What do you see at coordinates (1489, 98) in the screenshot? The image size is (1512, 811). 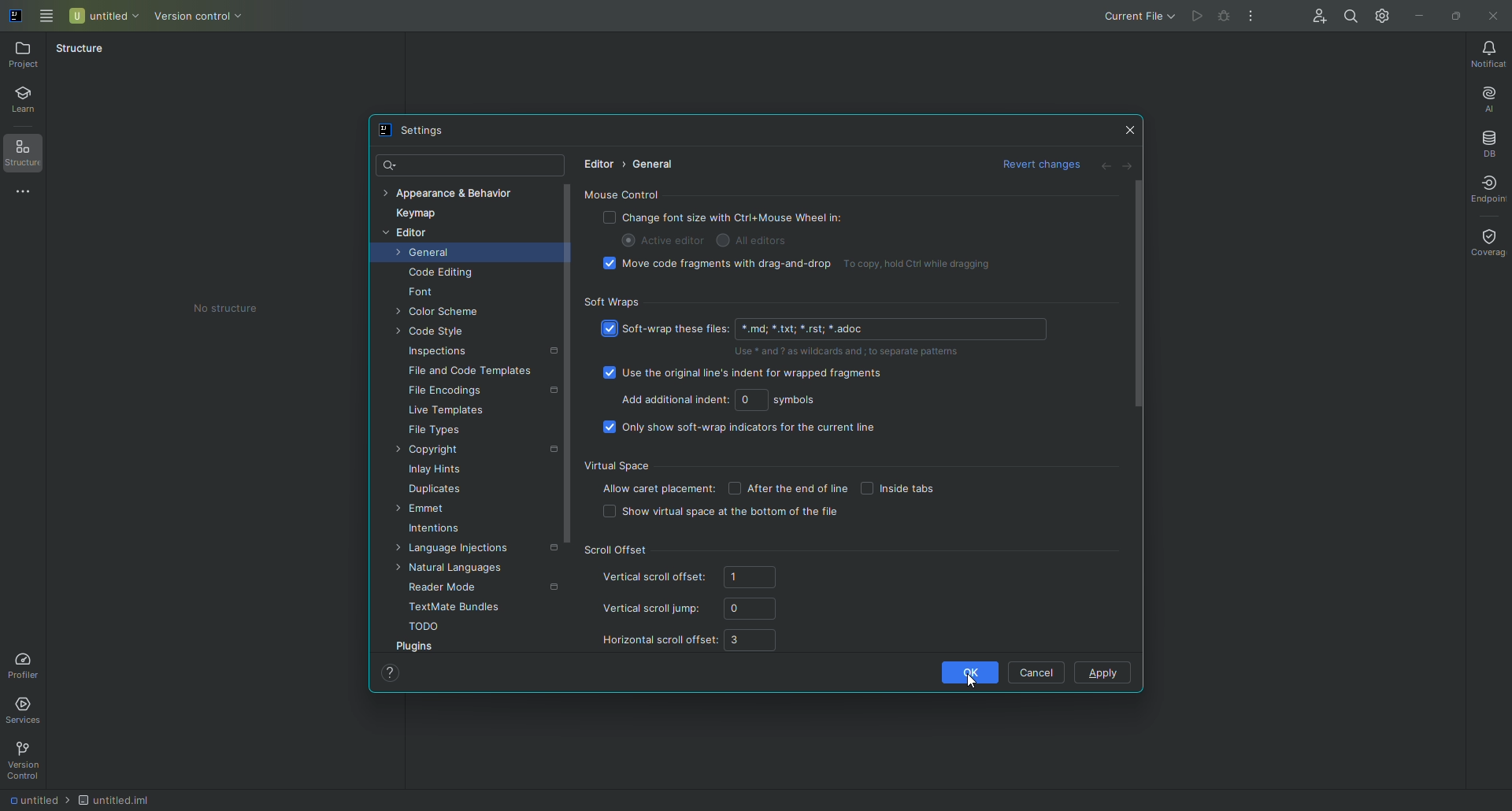 I see `AI Assistant` at bounding box center [1489, 98].